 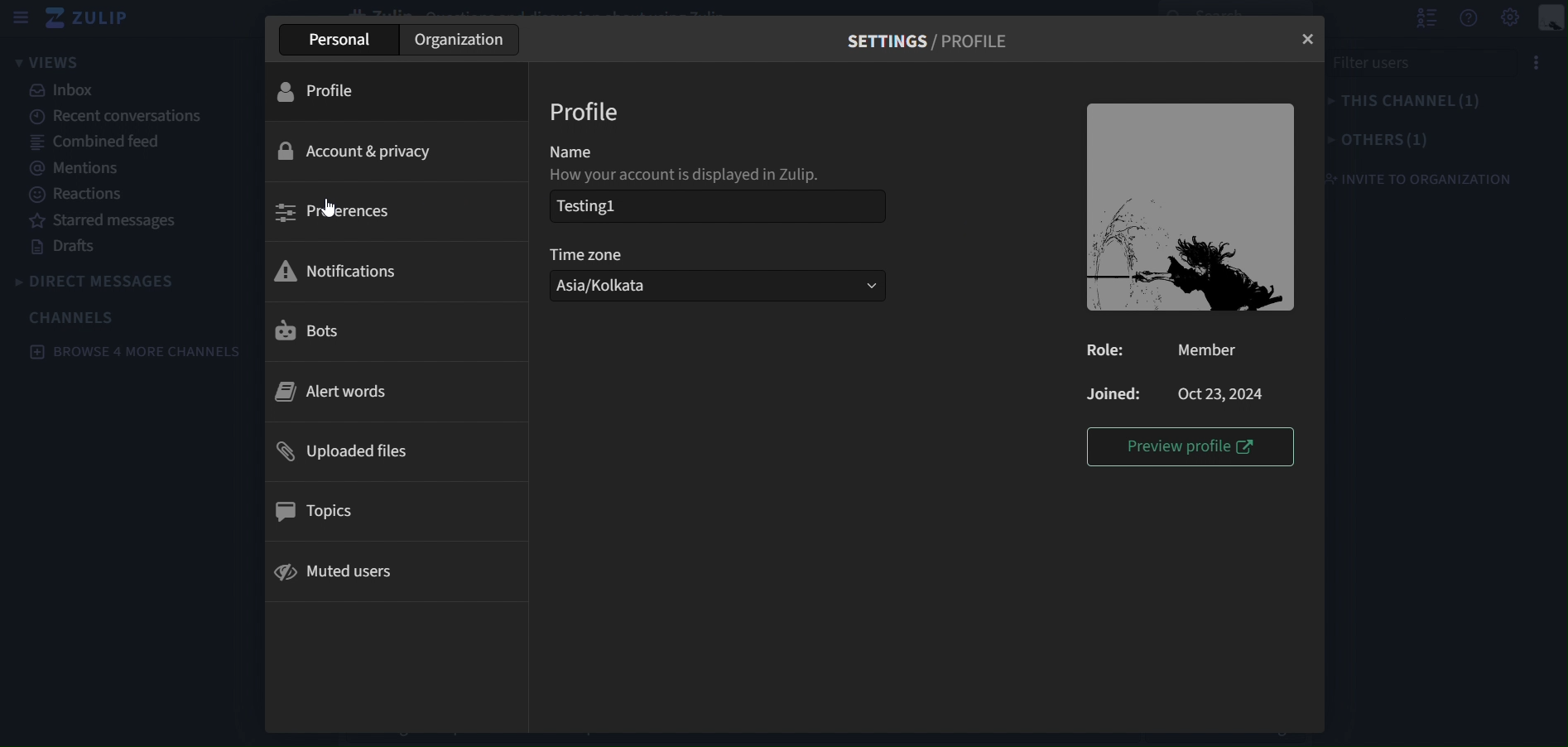 What do you see at coordinates (1470, 19) in the screenshot?
I see `get help` at bounding box center [1470, 19].